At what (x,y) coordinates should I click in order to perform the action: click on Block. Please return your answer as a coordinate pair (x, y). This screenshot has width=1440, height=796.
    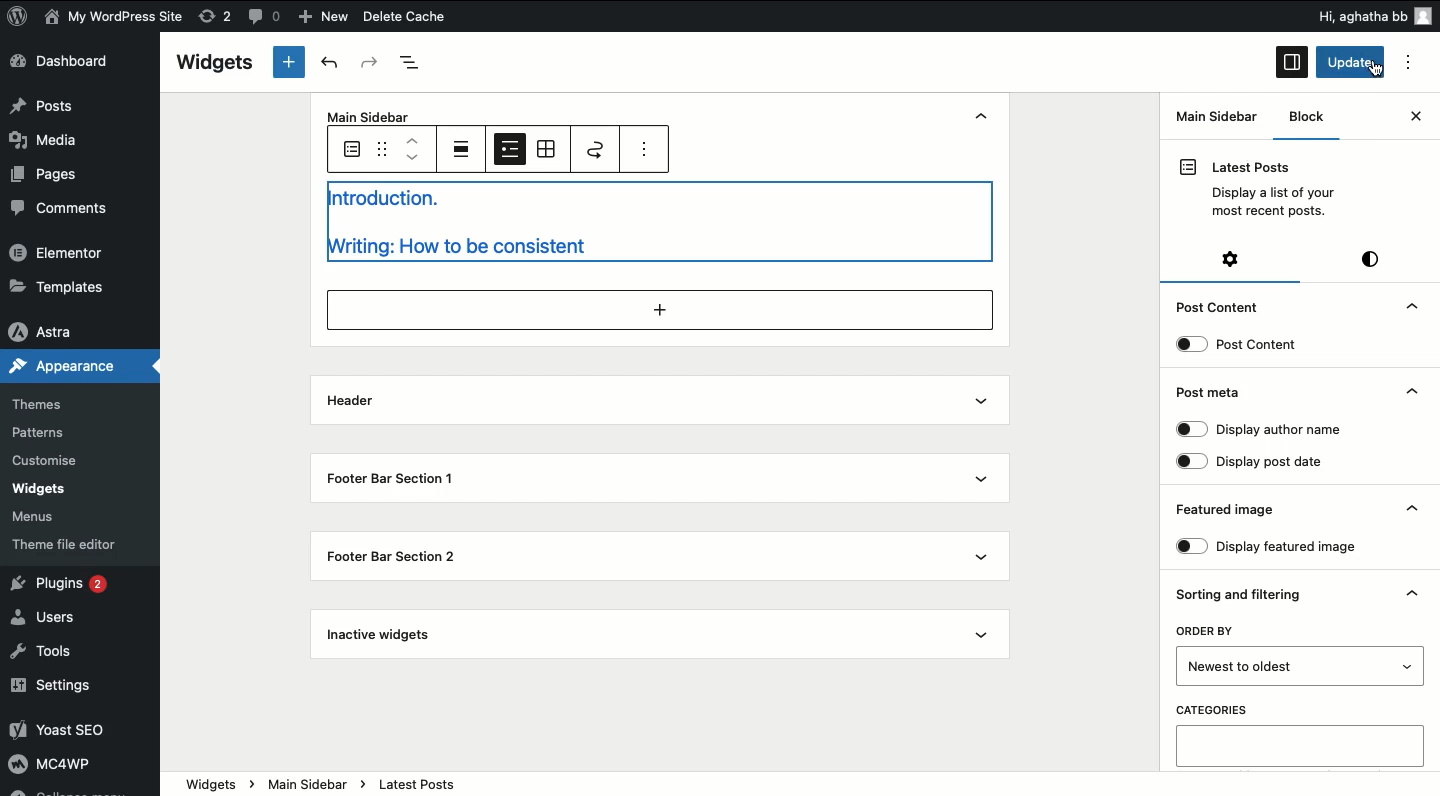
    Looking at the image, I should click on (1308, 114).